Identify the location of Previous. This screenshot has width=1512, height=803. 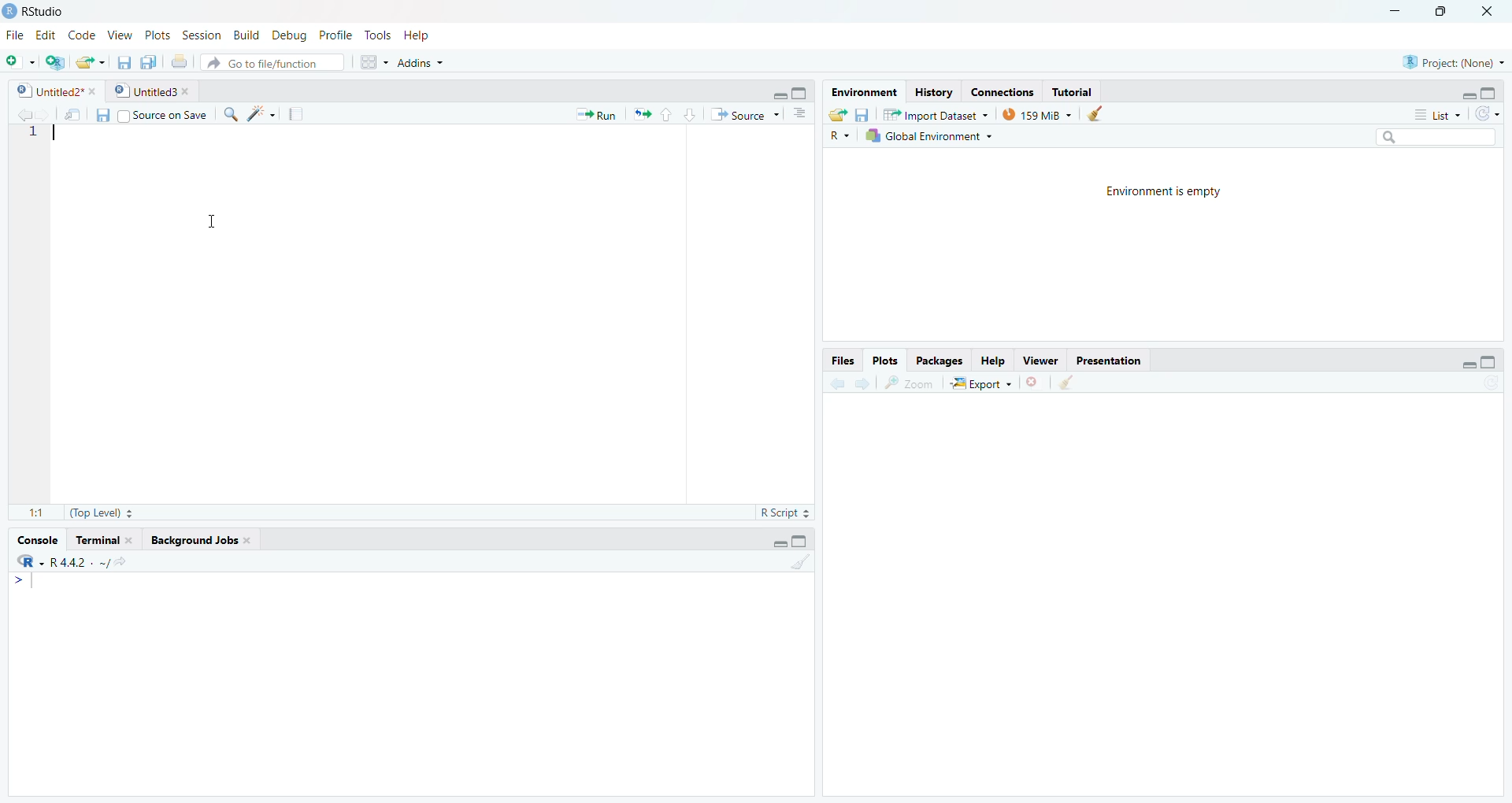
(835, 385).